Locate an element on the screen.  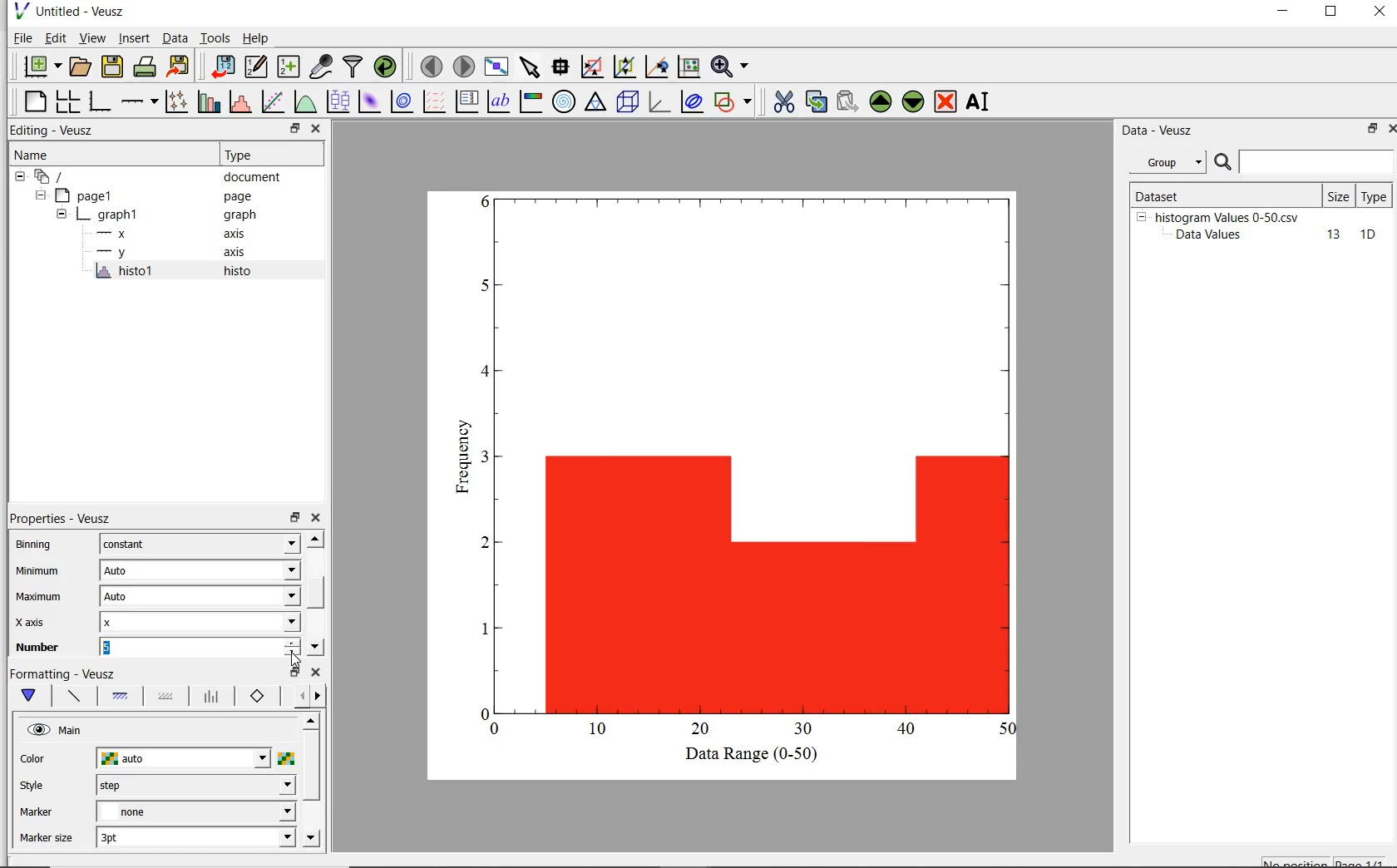
previous  is located at coordinates (299, 697).